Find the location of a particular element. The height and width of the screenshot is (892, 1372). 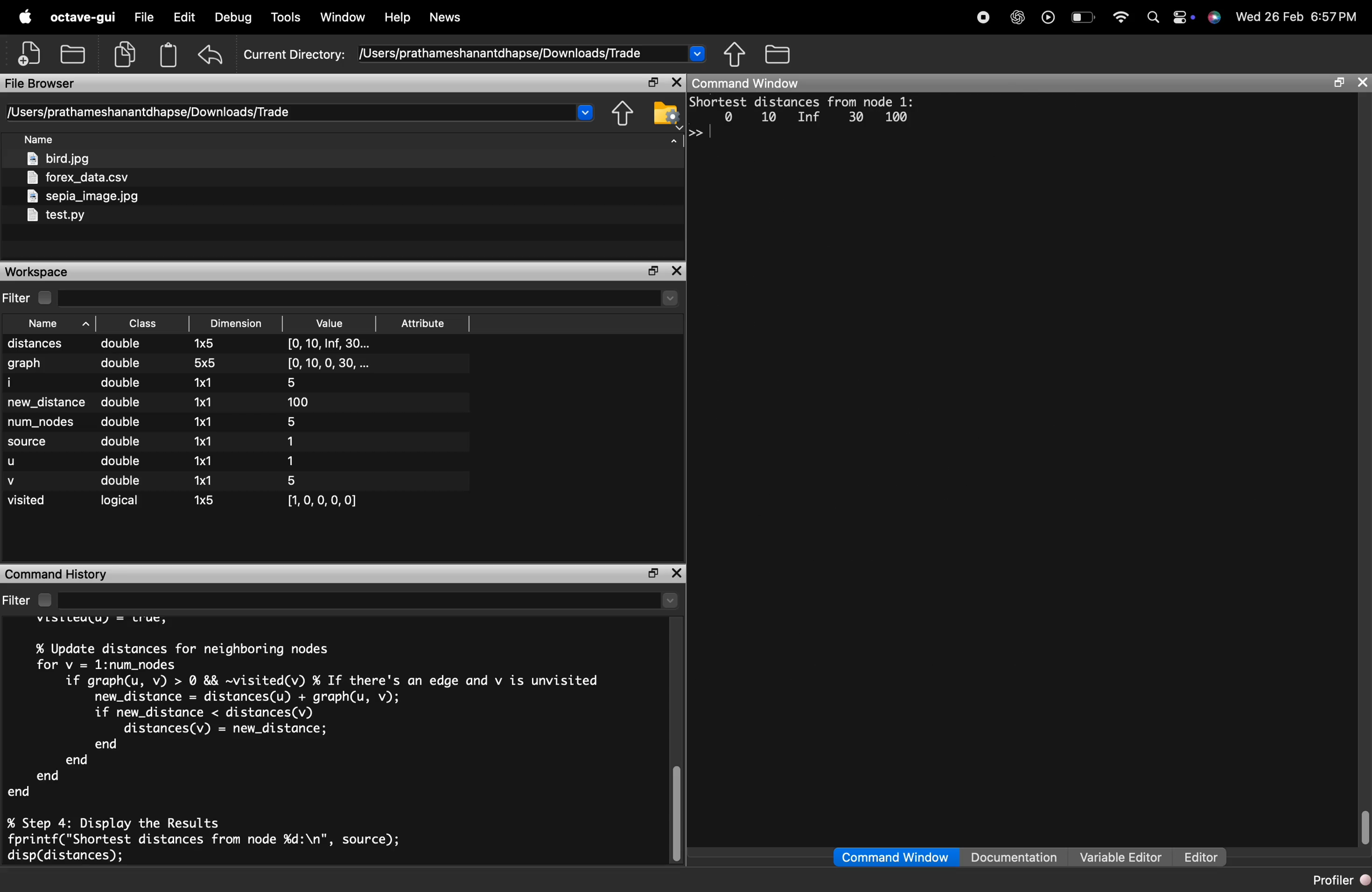

files is located at coordinates (85, 189).